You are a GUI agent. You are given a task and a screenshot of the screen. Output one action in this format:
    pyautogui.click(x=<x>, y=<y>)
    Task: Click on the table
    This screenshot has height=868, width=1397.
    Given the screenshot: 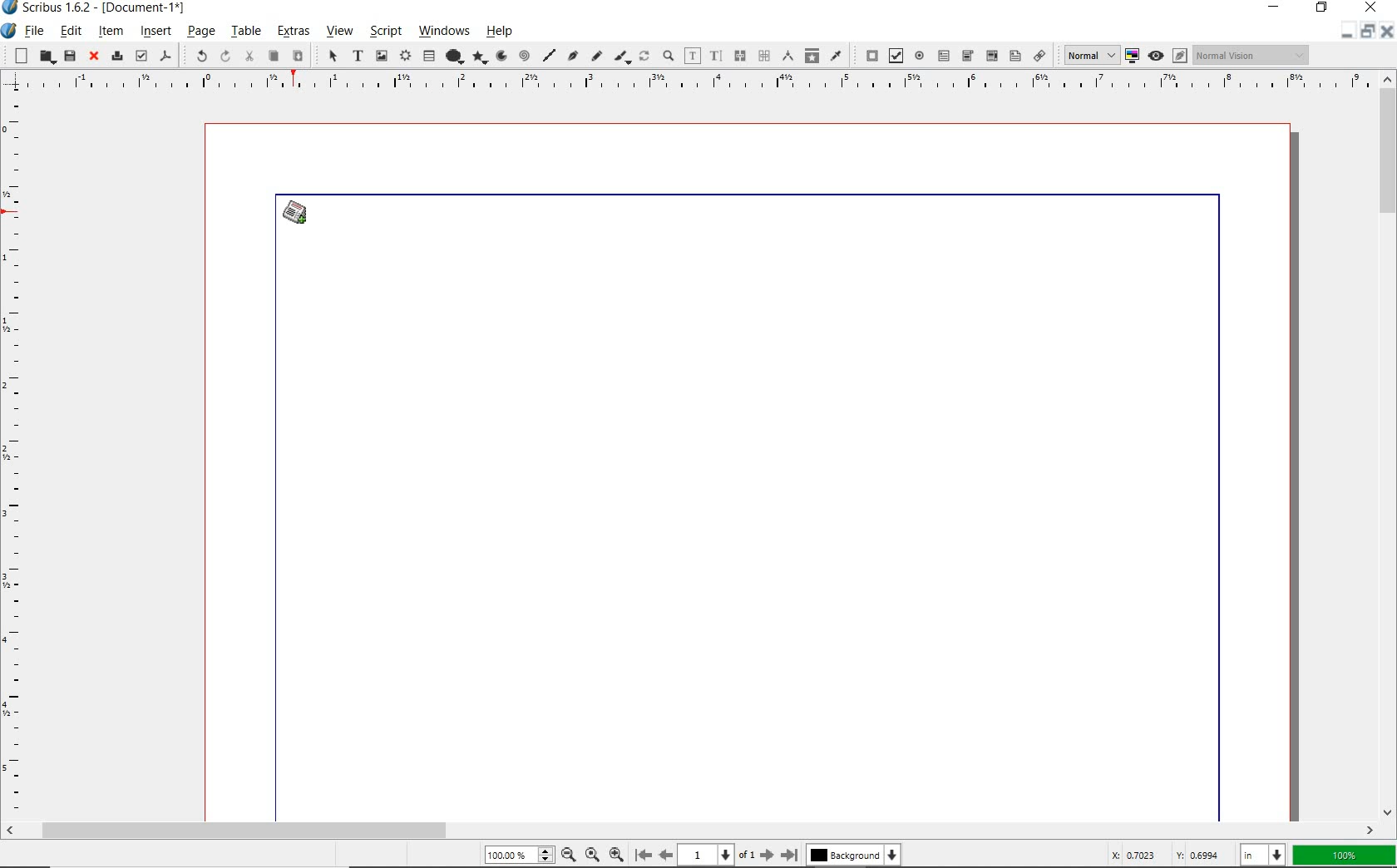 What is the action you would take?
    pyautogui.click(x=427, y=57)
    